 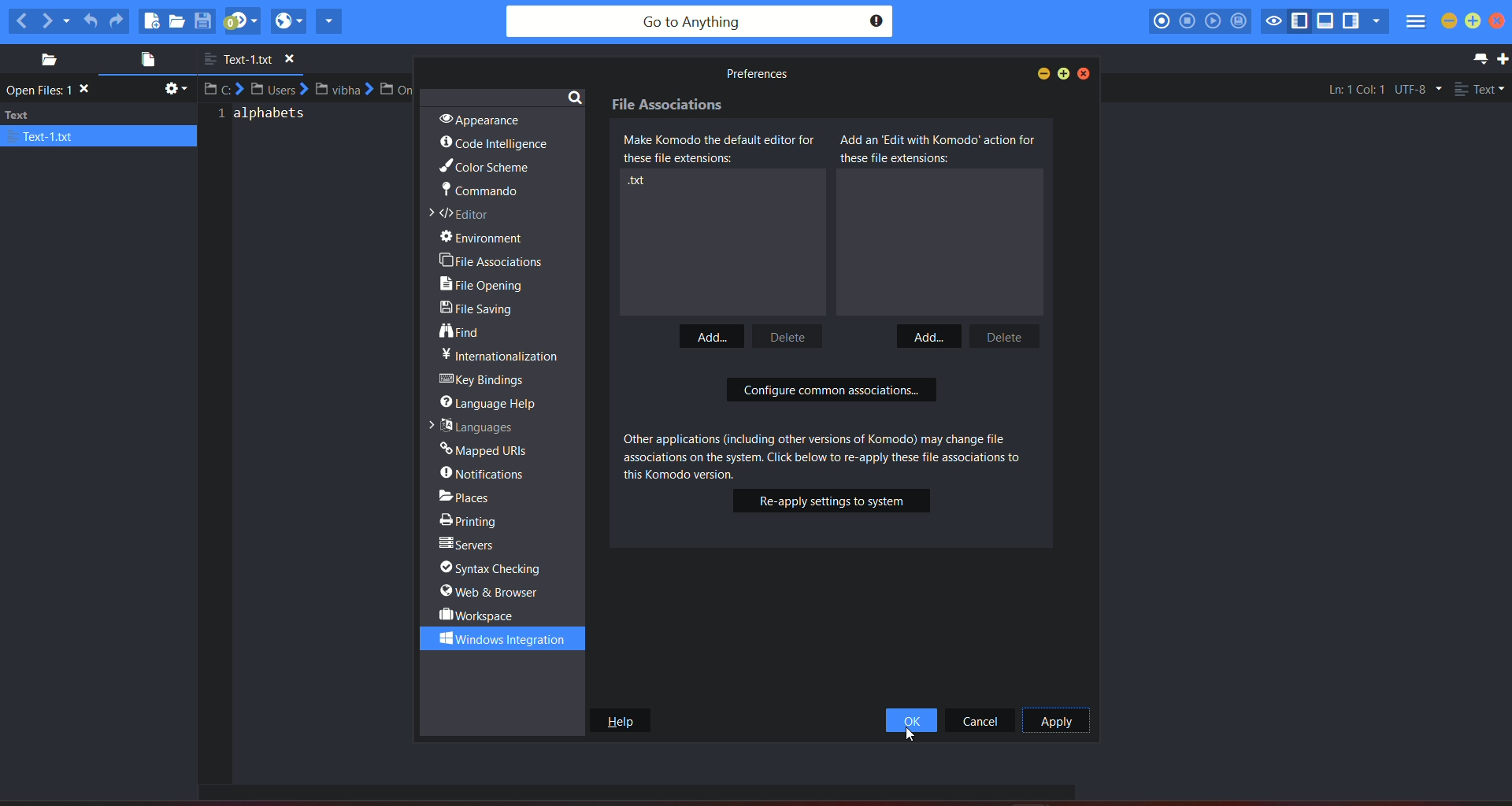 I want to click on code intelligence, so click(x=495, y=144).